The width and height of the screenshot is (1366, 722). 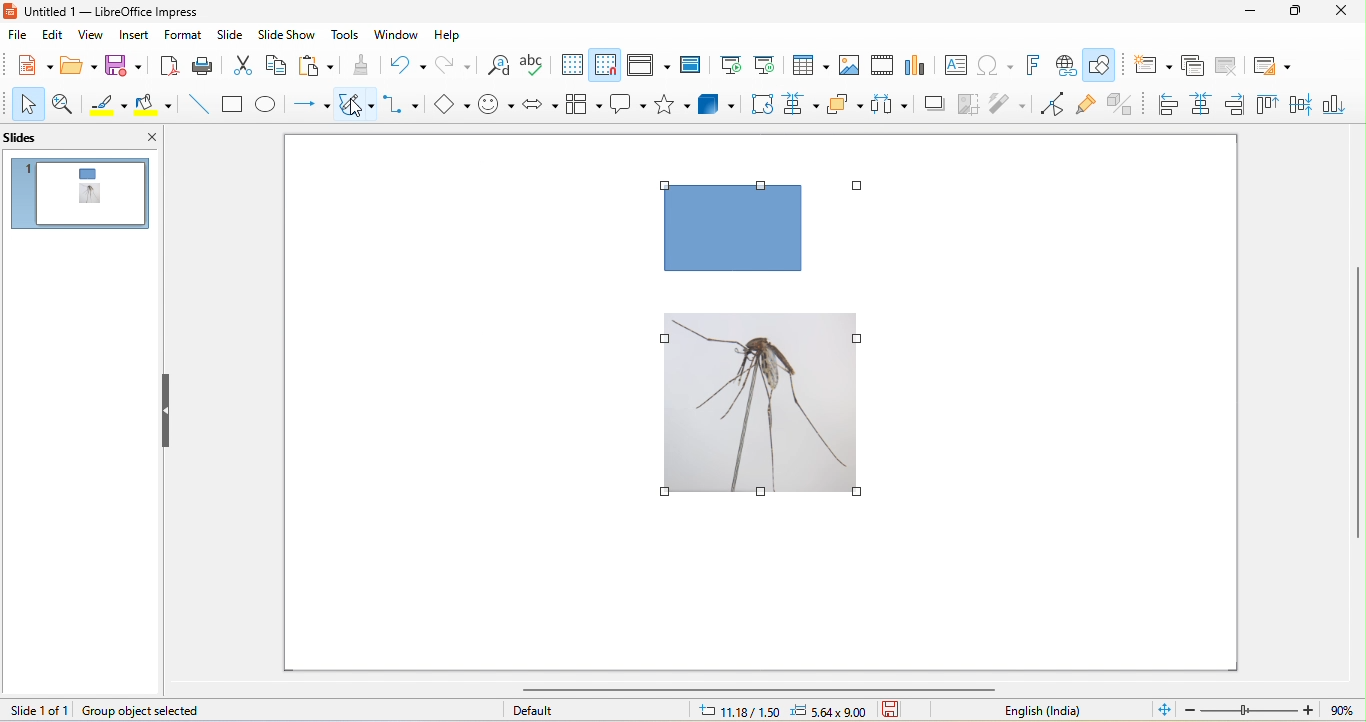 I want to click on symbol shape, so click(x=496, y=106).